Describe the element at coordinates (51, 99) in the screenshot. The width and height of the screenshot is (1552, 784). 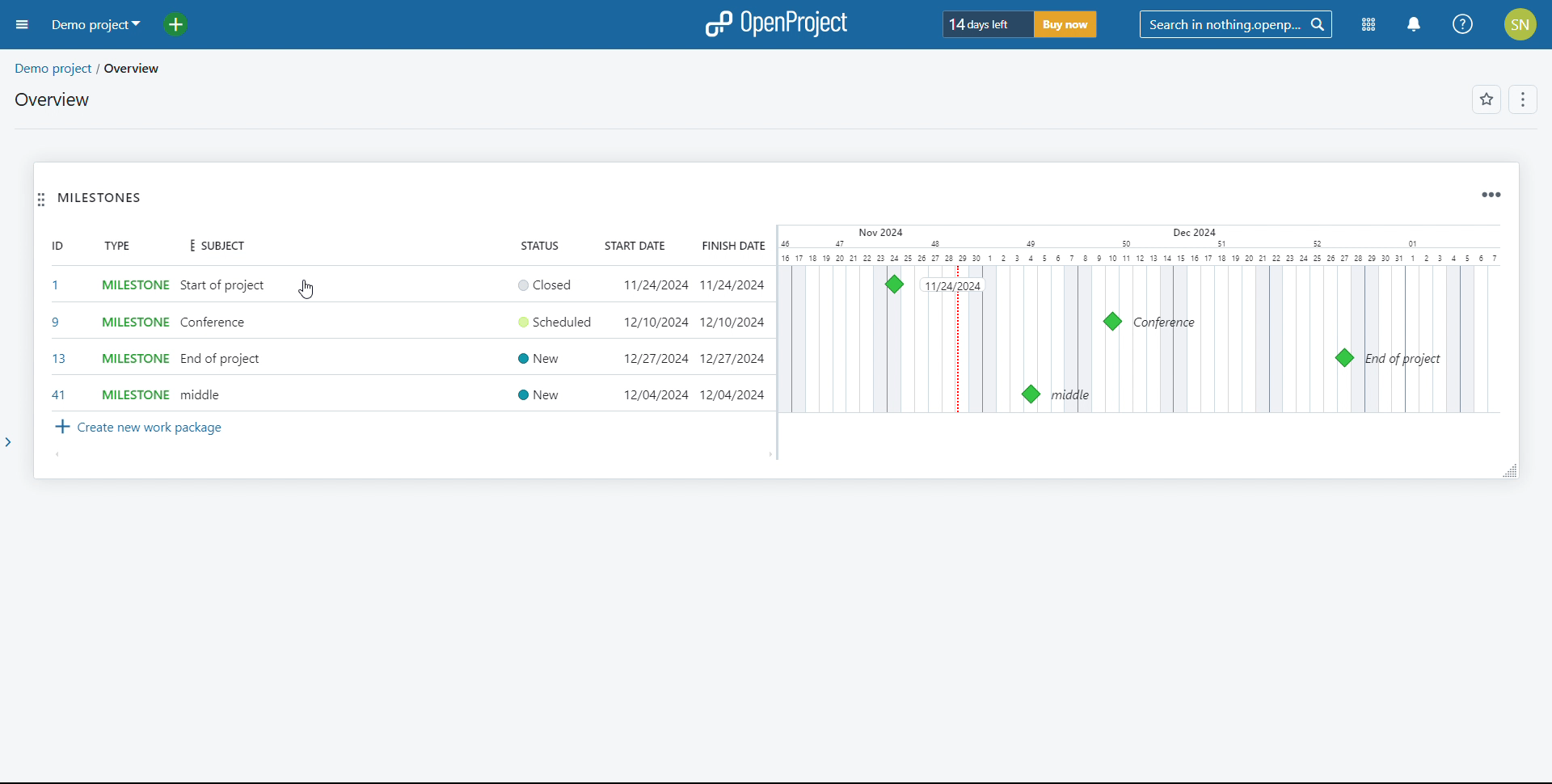
I see `overview` at that location.